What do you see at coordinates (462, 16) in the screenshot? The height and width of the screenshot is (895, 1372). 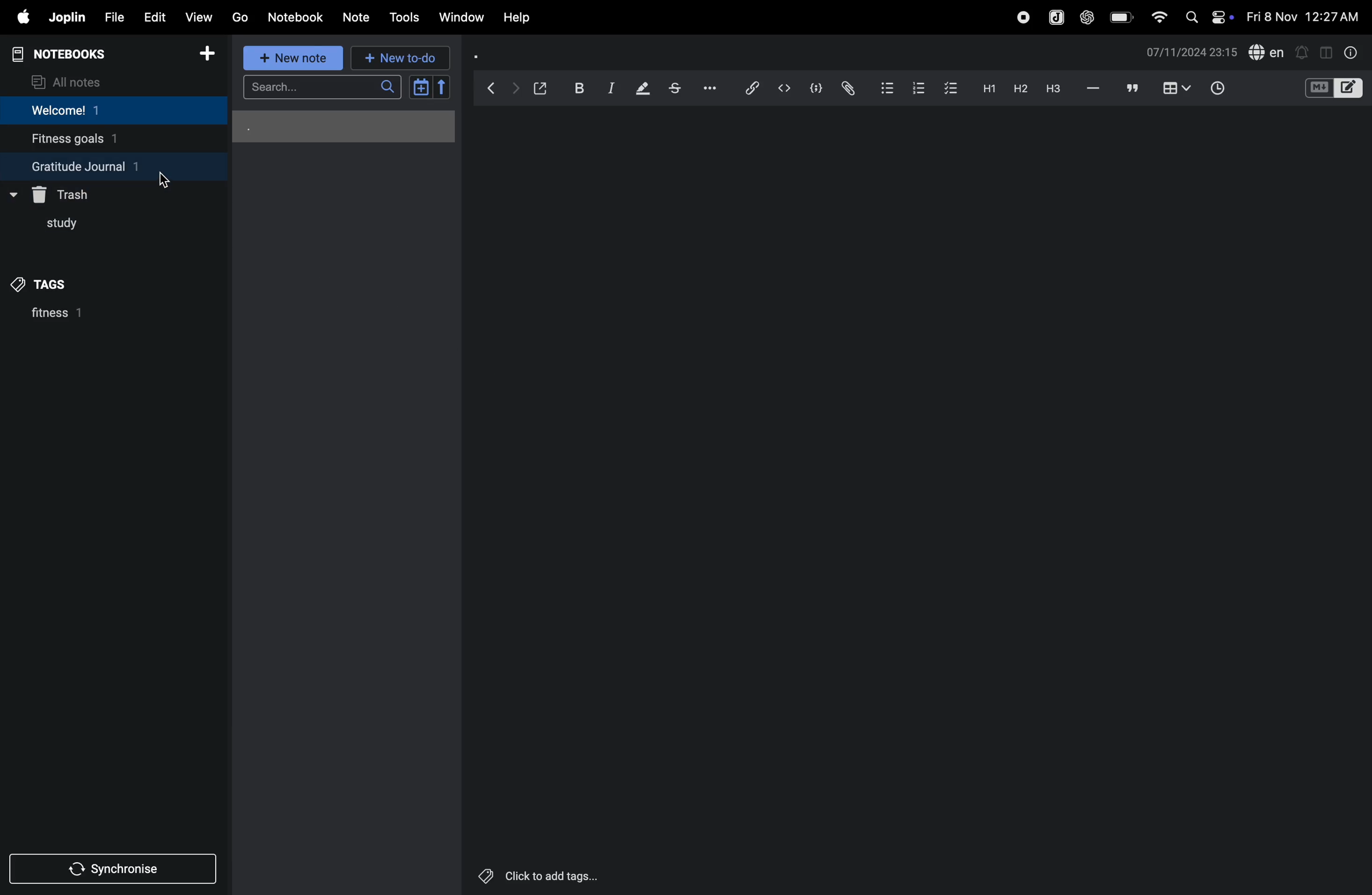 I see `window` at bounding box center [462, 16].